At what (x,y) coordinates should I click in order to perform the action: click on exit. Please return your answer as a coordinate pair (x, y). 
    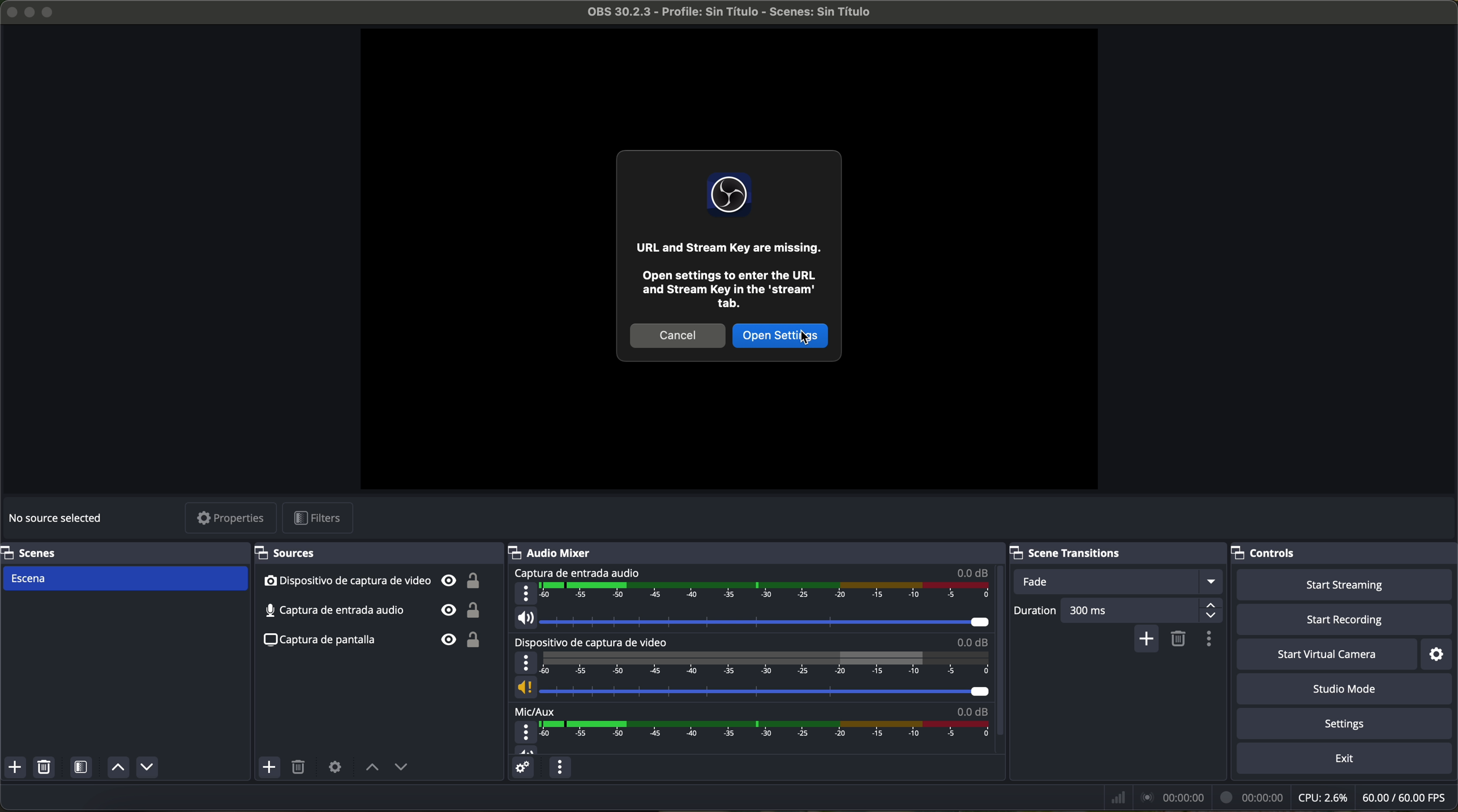
    Looking at the image, I should click on (1346, 761).